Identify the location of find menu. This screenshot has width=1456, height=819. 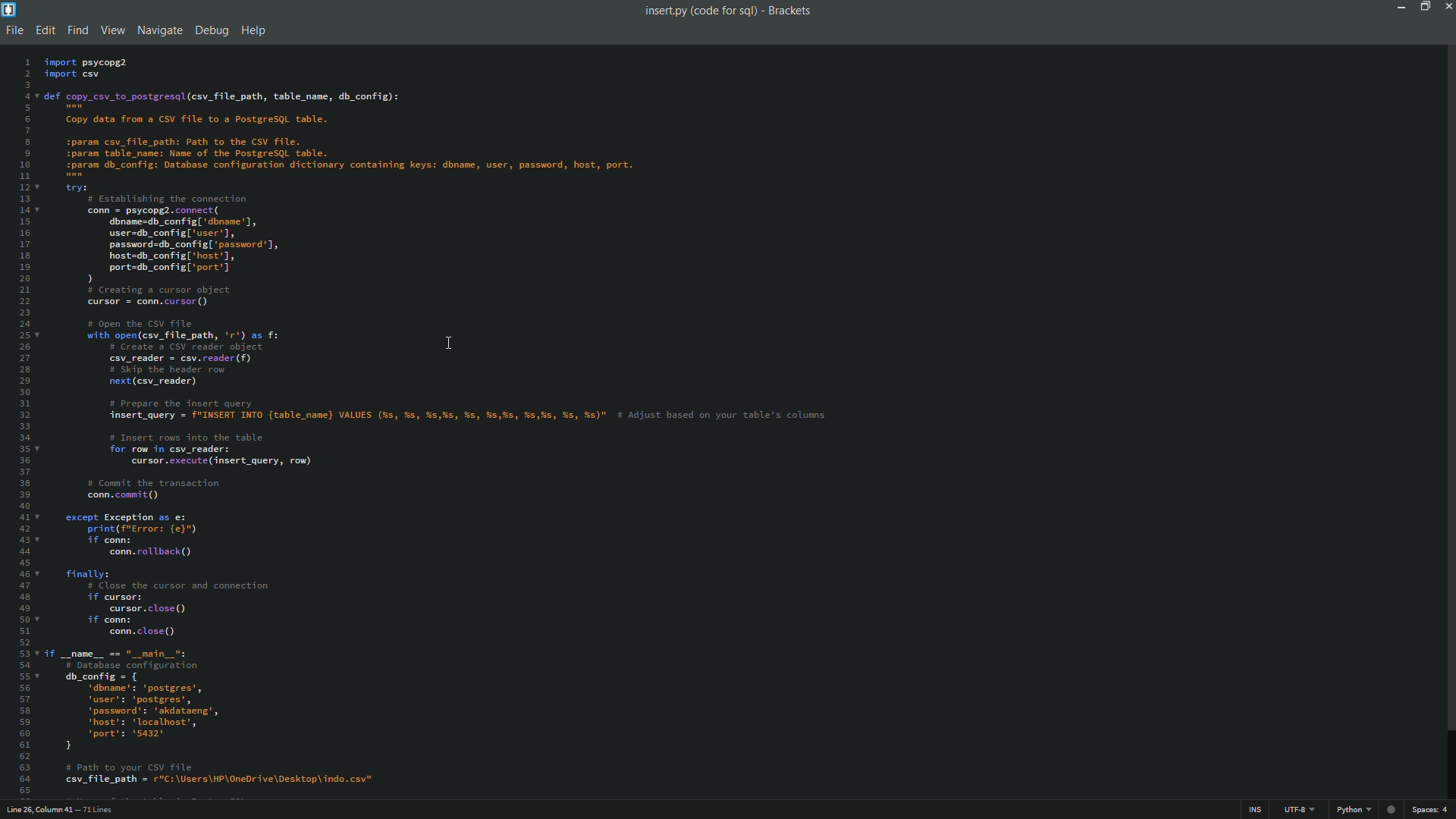
(75, 30).